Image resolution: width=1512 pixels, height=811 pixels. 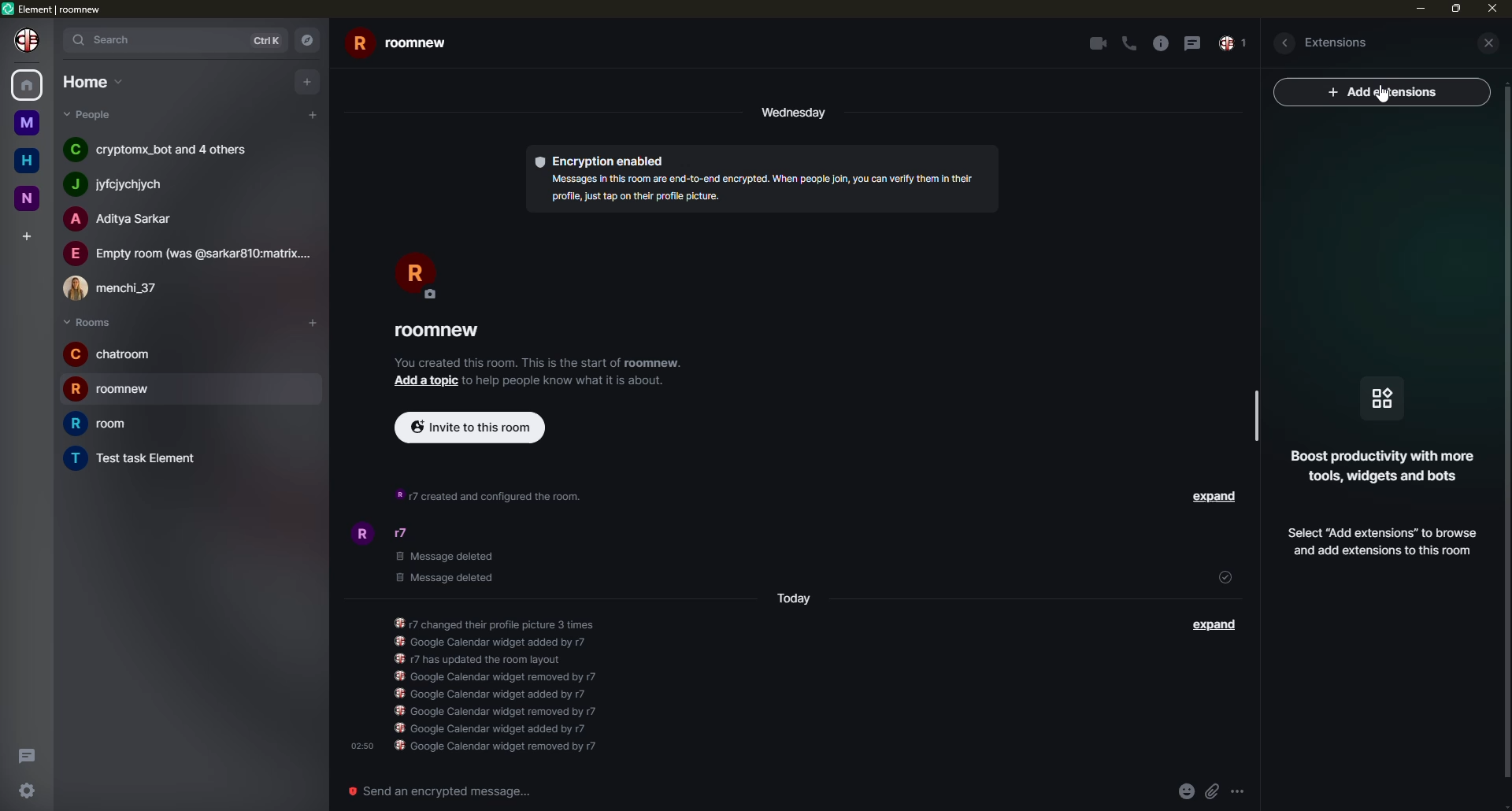 What do you see at coordinates (417, 274) in the screenshot?
I see `profile` at bounding box center [417, 274].